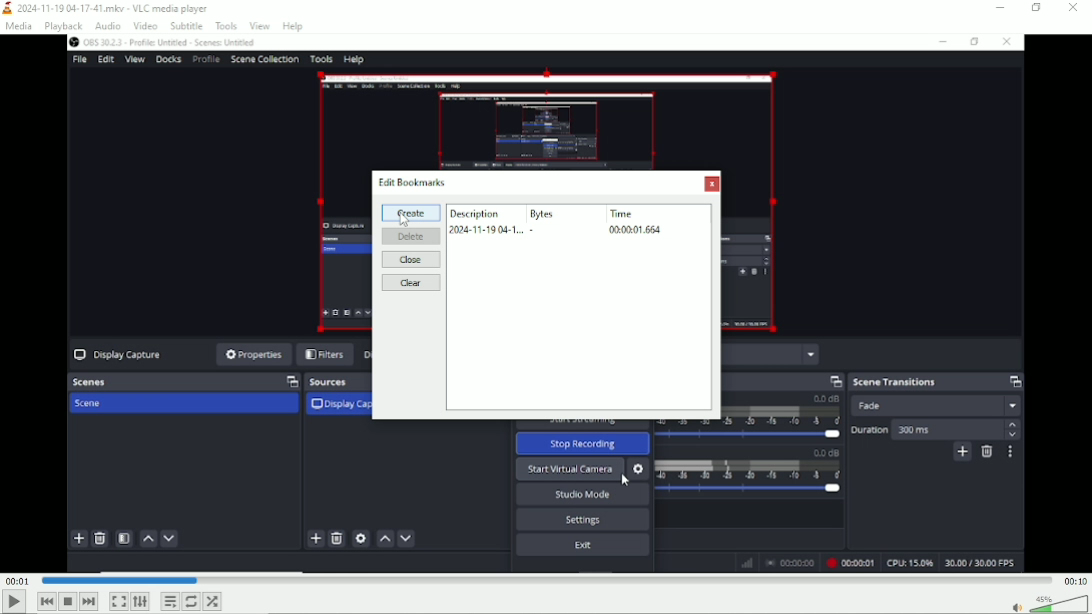 This screenshot has width=1092, height=614. I want to click on Close, so click(712, 185).